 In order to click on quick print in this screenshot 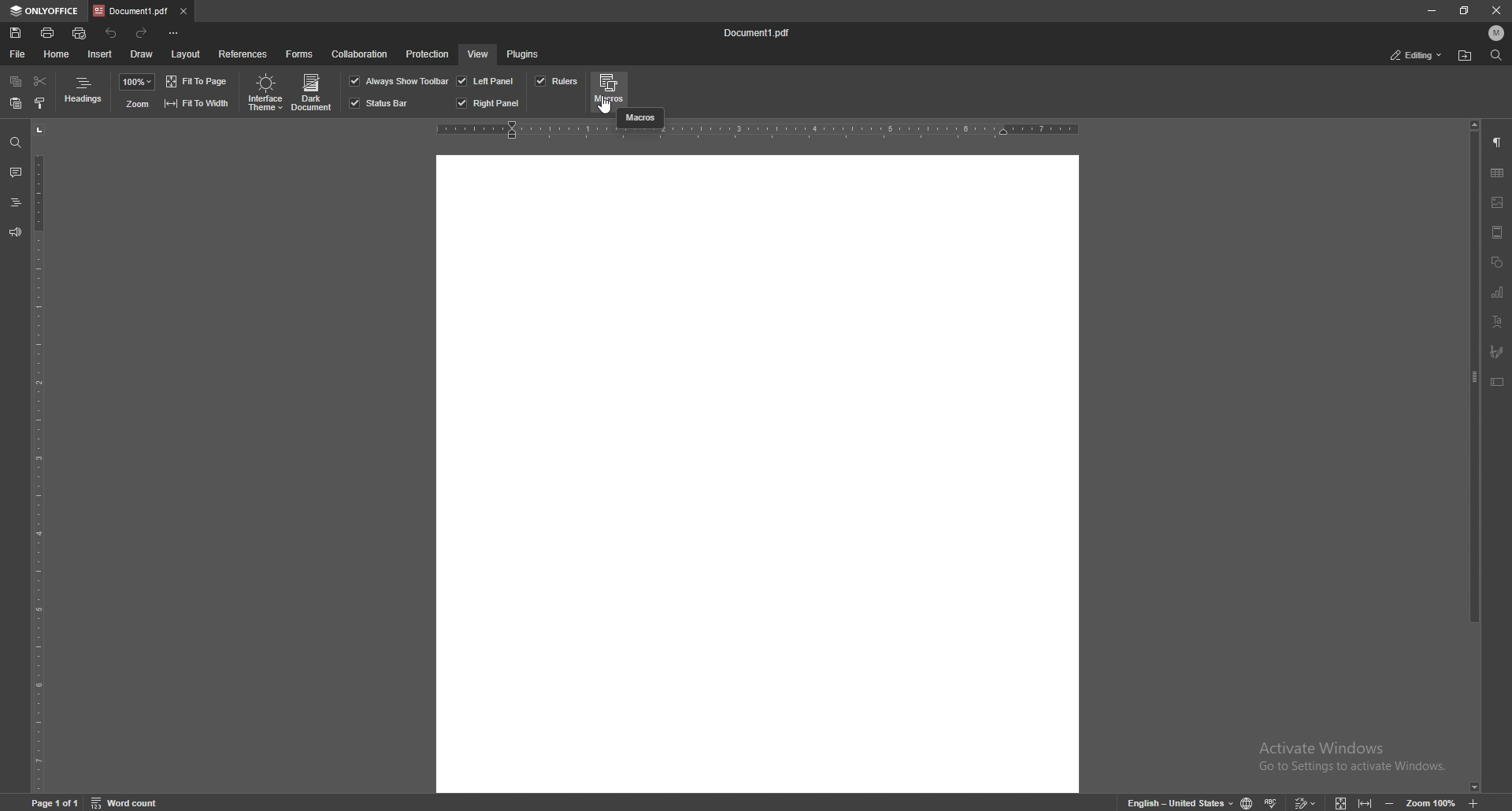, I will do `click(81, 33)`.